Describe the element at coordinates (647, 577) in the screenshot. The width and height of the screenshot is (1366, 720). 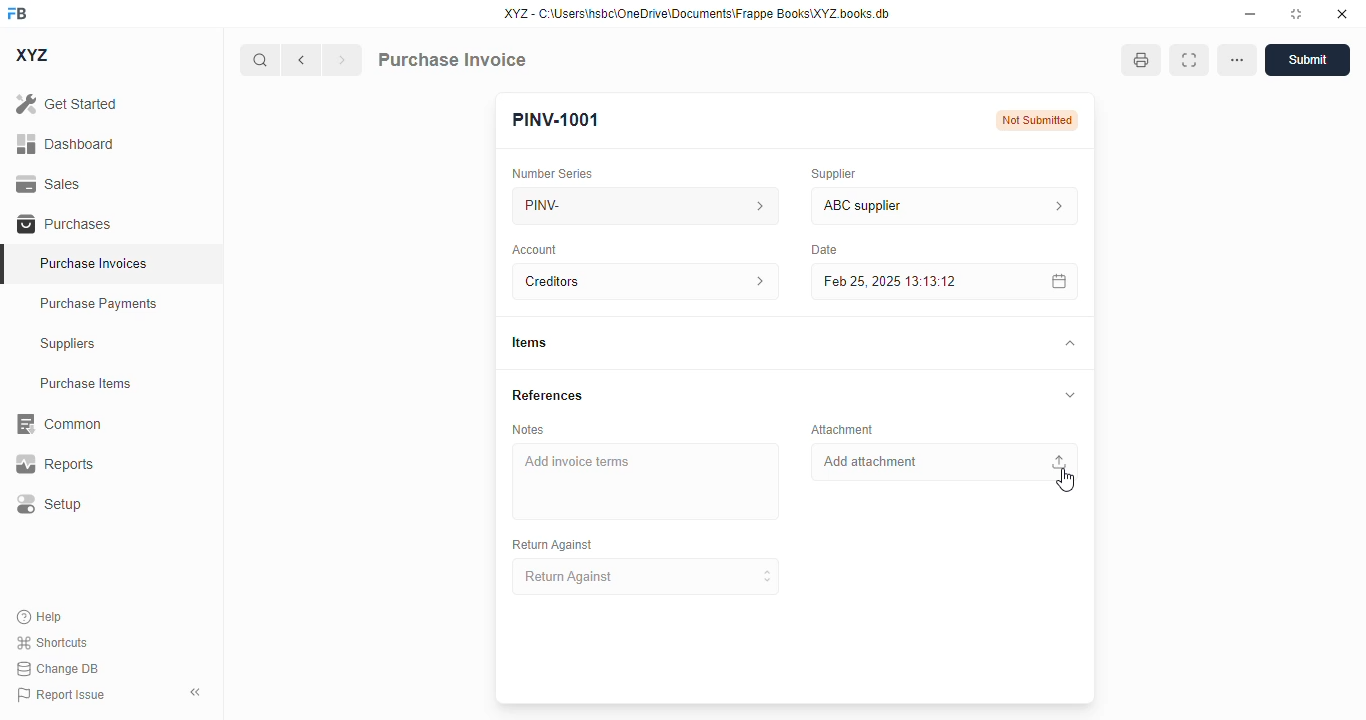
I see `return against` at that location.